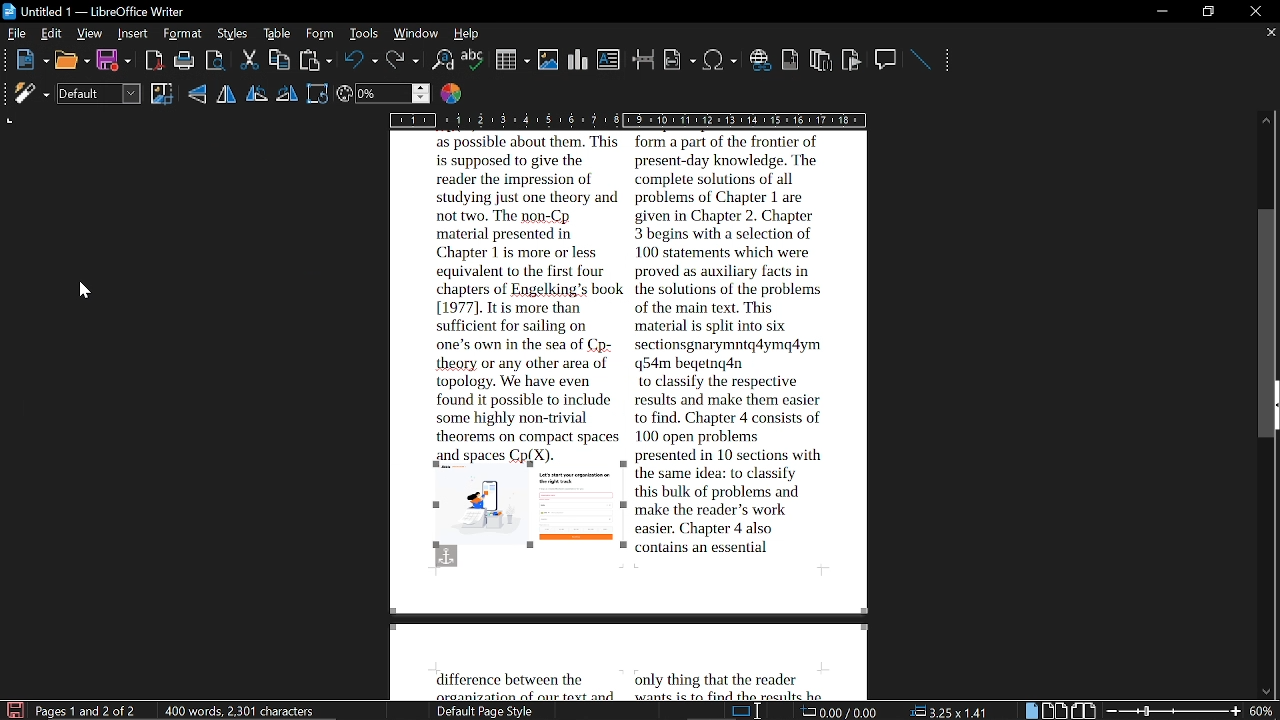 Image resolution: width=1280 pixels, height=720 pixels. I want to click on insert page break, so click(644, 59).